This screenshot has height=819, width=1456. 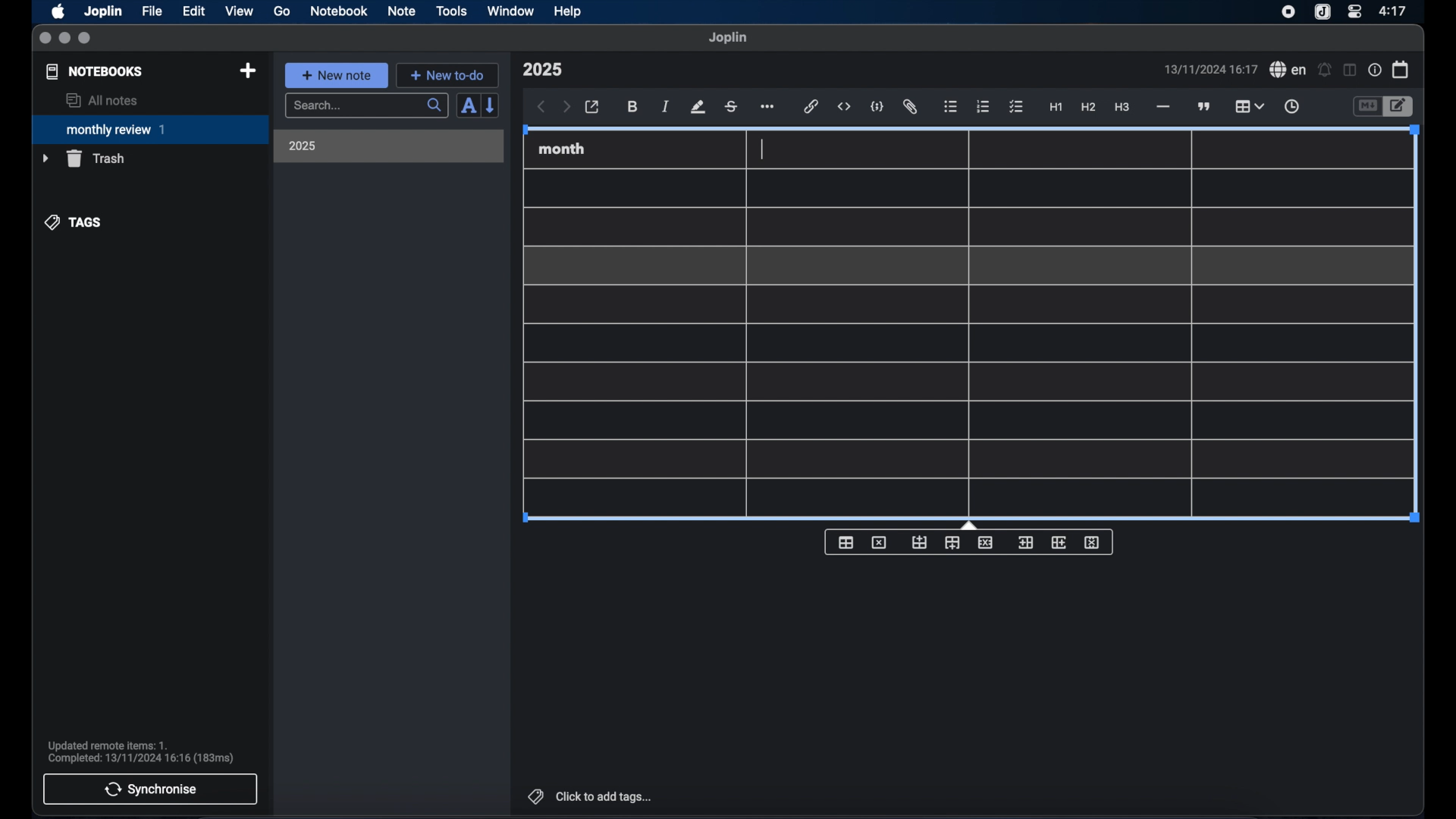 I want to click on synchronise, so click(x=150, y=789).